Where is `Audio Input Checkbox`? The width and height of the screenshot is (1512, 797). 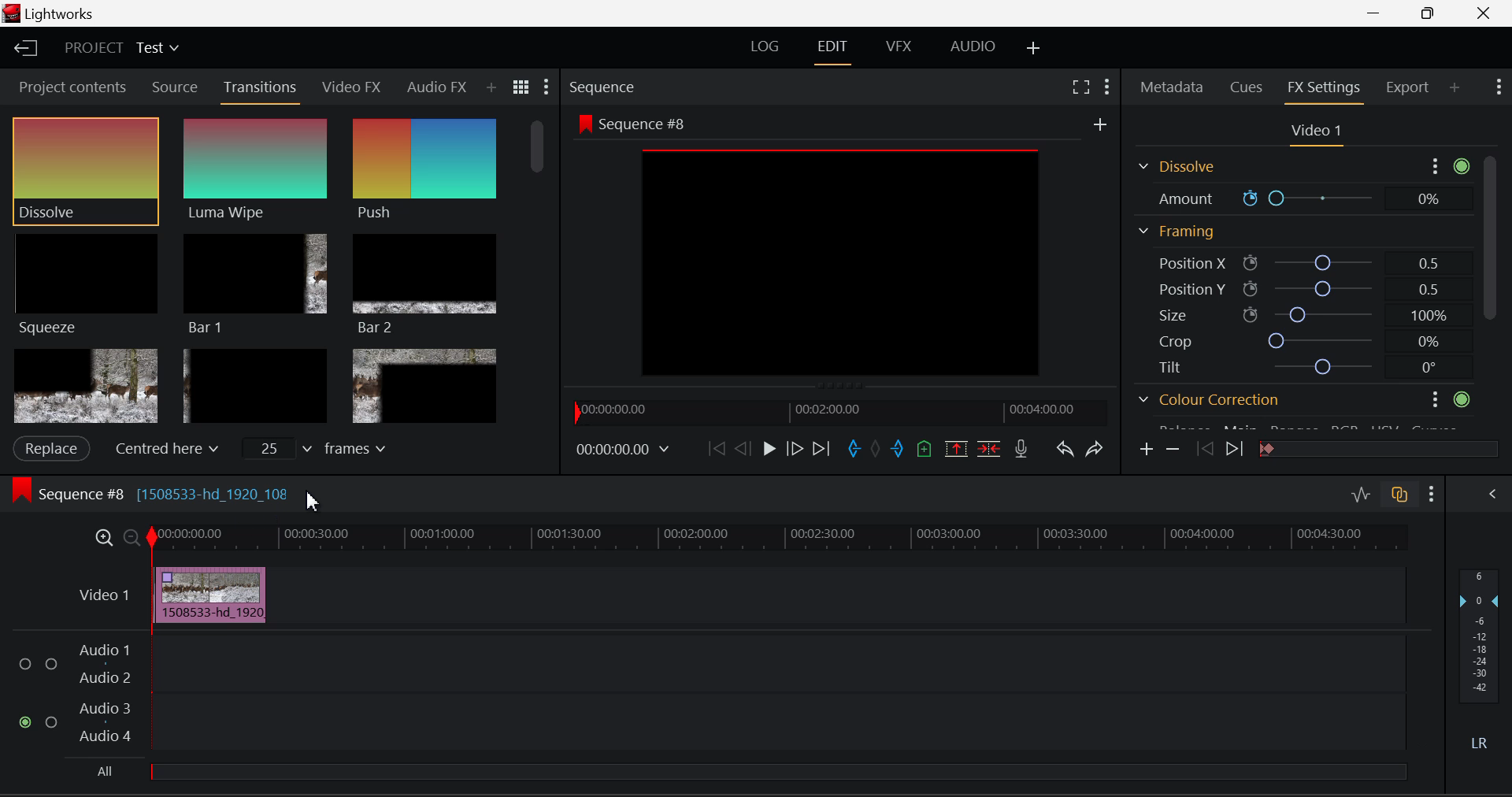
Audio Input Checkbox is located at coordinates (24, 721).